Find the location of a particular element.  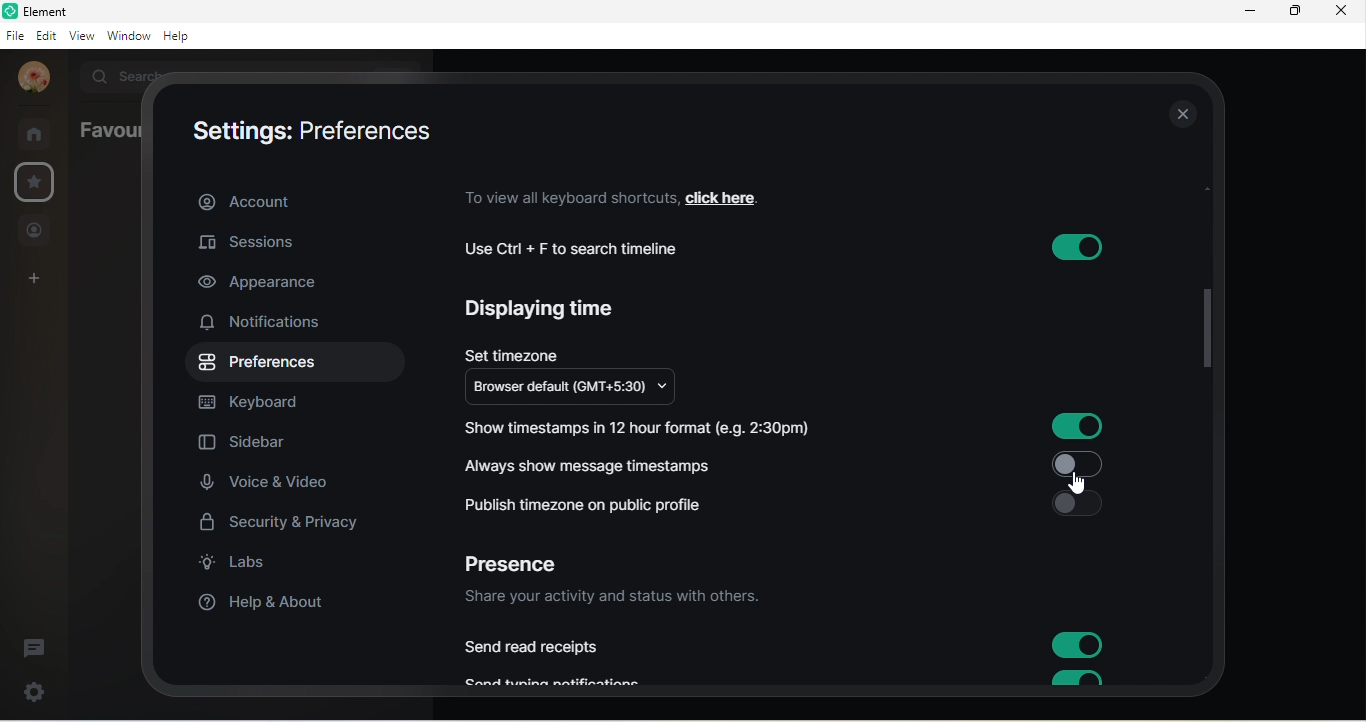

Send typing notifications is located at coordinates (564, 681).